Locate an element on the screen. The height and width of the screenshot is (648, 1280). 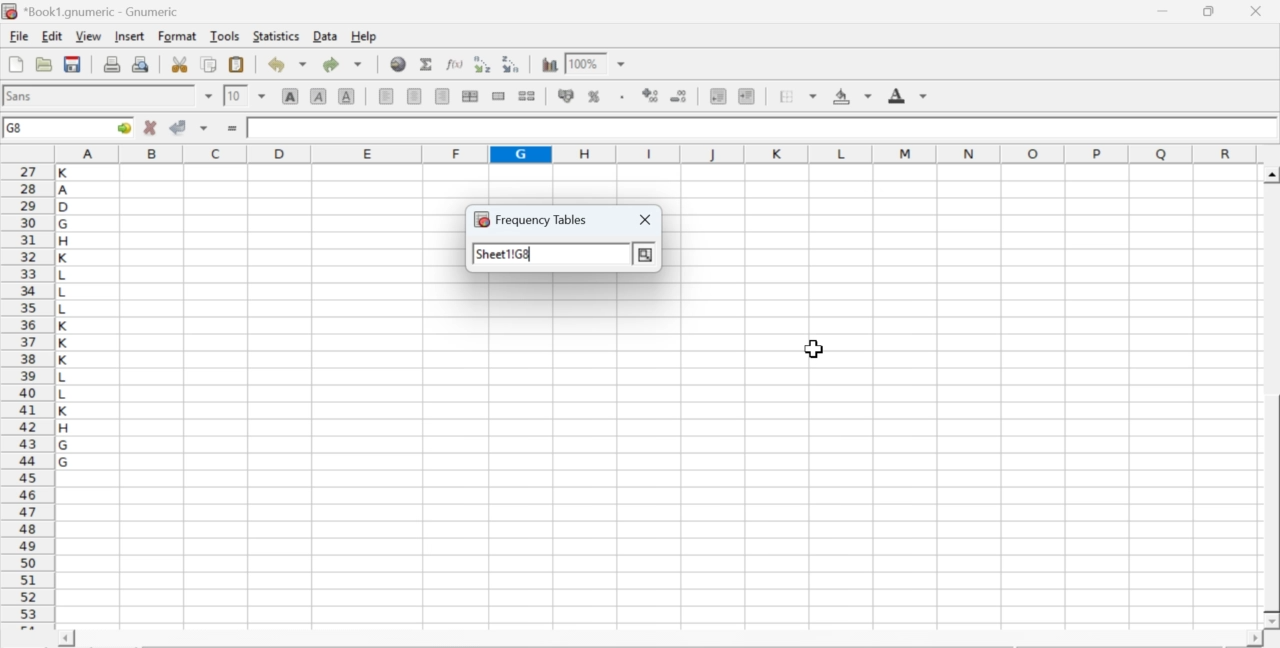
underline is located at coordinates (347, 95).